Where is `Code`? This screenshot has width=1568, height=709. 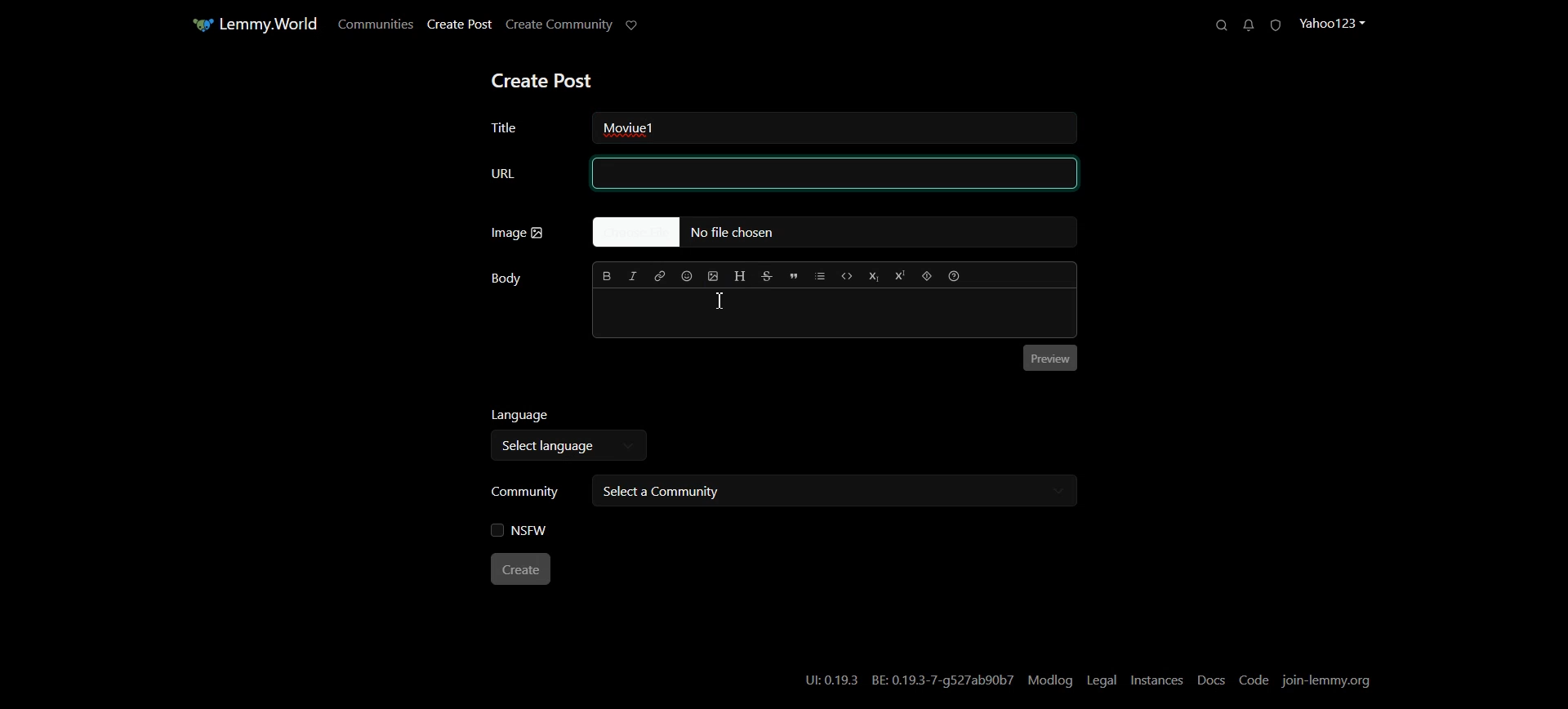 Code is located at coordinates (1255, 680).